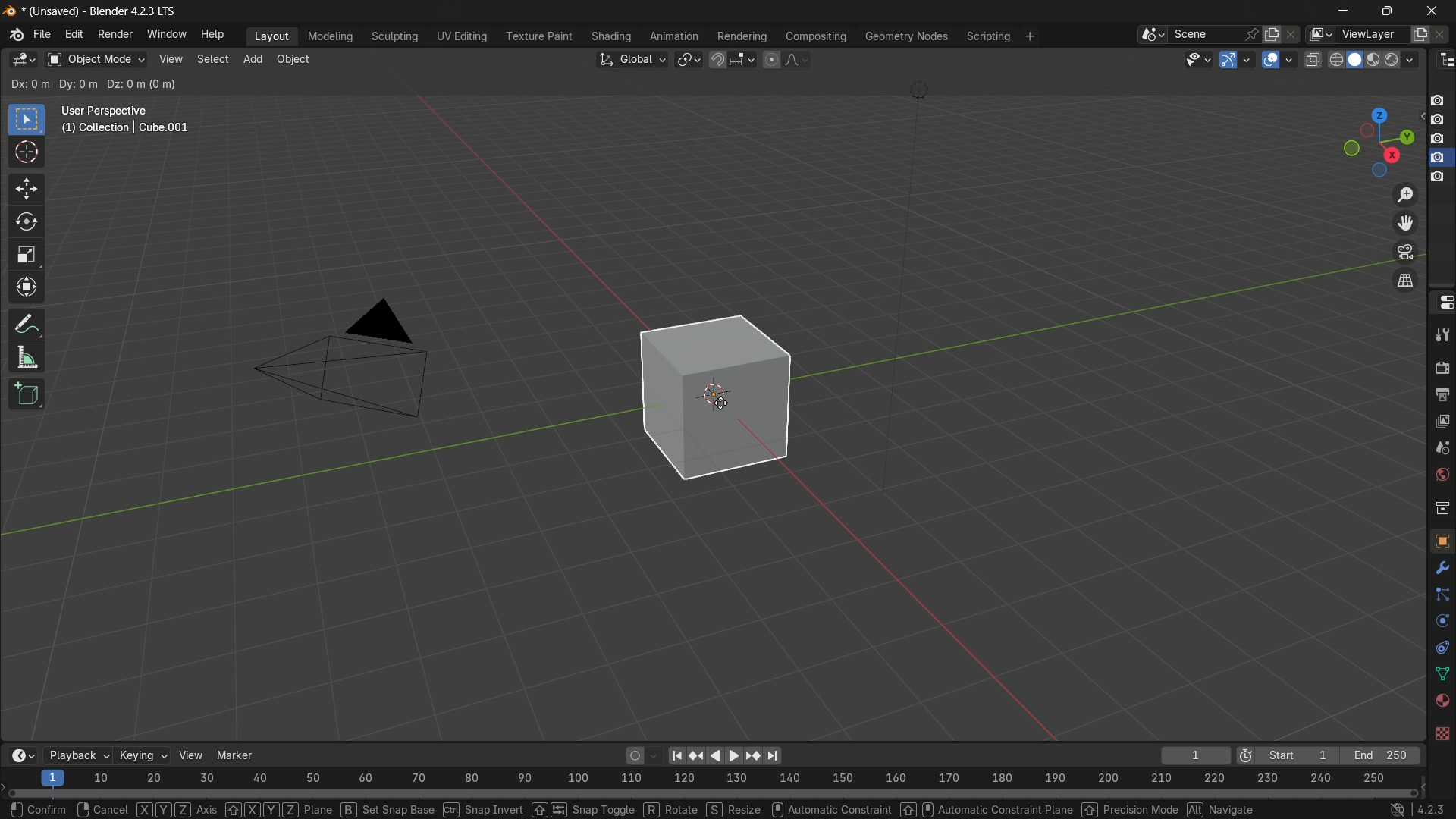 This screenshot has height=819, width=1456. What do you see at coordinates (1442, 735) in the screenshot?
I see `texture` at bounding box center [1442, 735].